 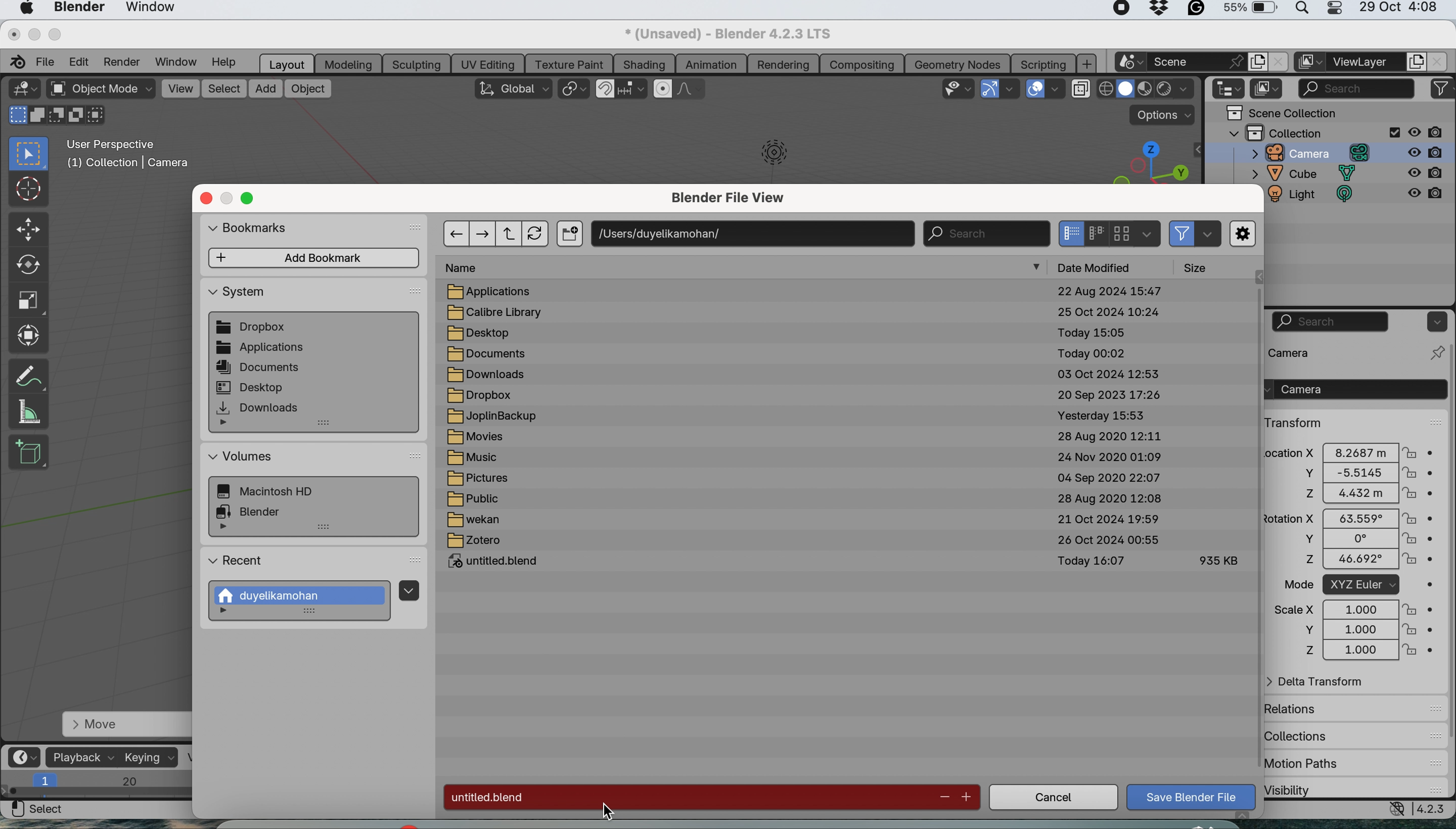 What do you see at coordinates (229, 425) in the screenshot?
I see `more` at bounding box center [229, 425].